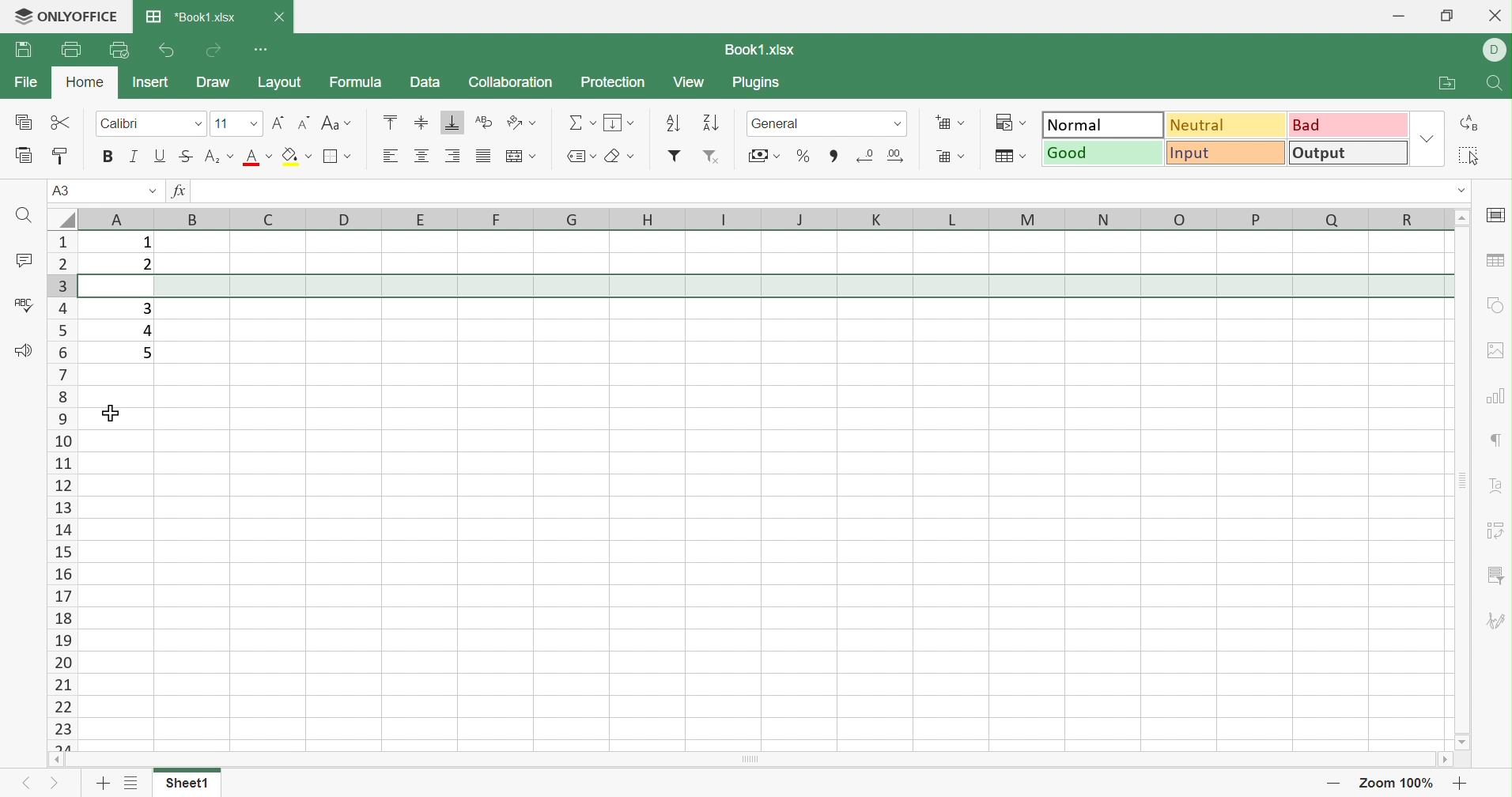  I want to click on Borders, so click(334, 157).